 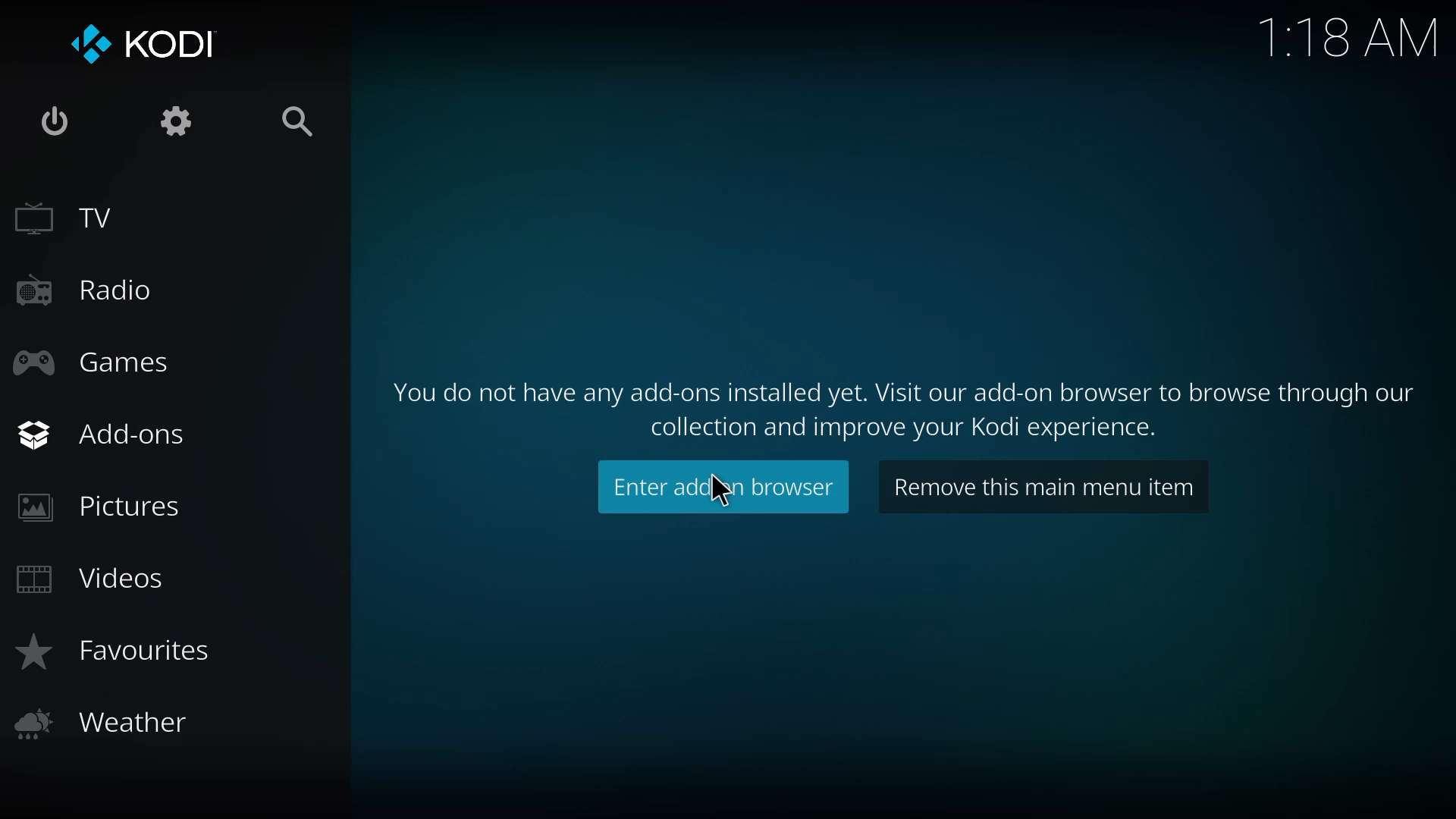 What do you see at coordinates (714, 493) in the screenshot?
I see `cursor` at bounding box center [714, 493].